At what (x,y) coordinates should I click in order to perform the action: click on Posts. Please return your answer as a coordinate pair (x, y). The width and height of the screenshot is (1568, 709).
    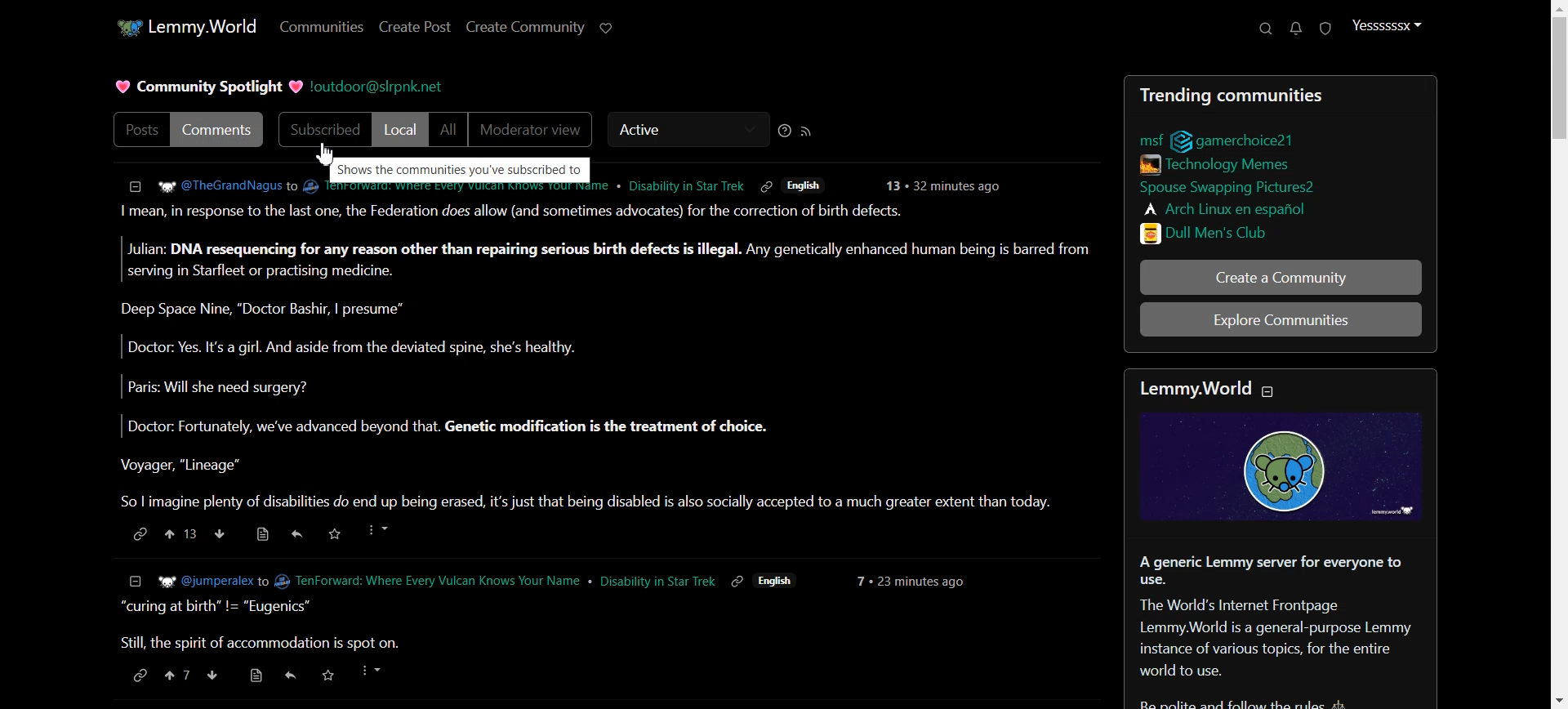
    Looking at the image, I should click on (139, 129).